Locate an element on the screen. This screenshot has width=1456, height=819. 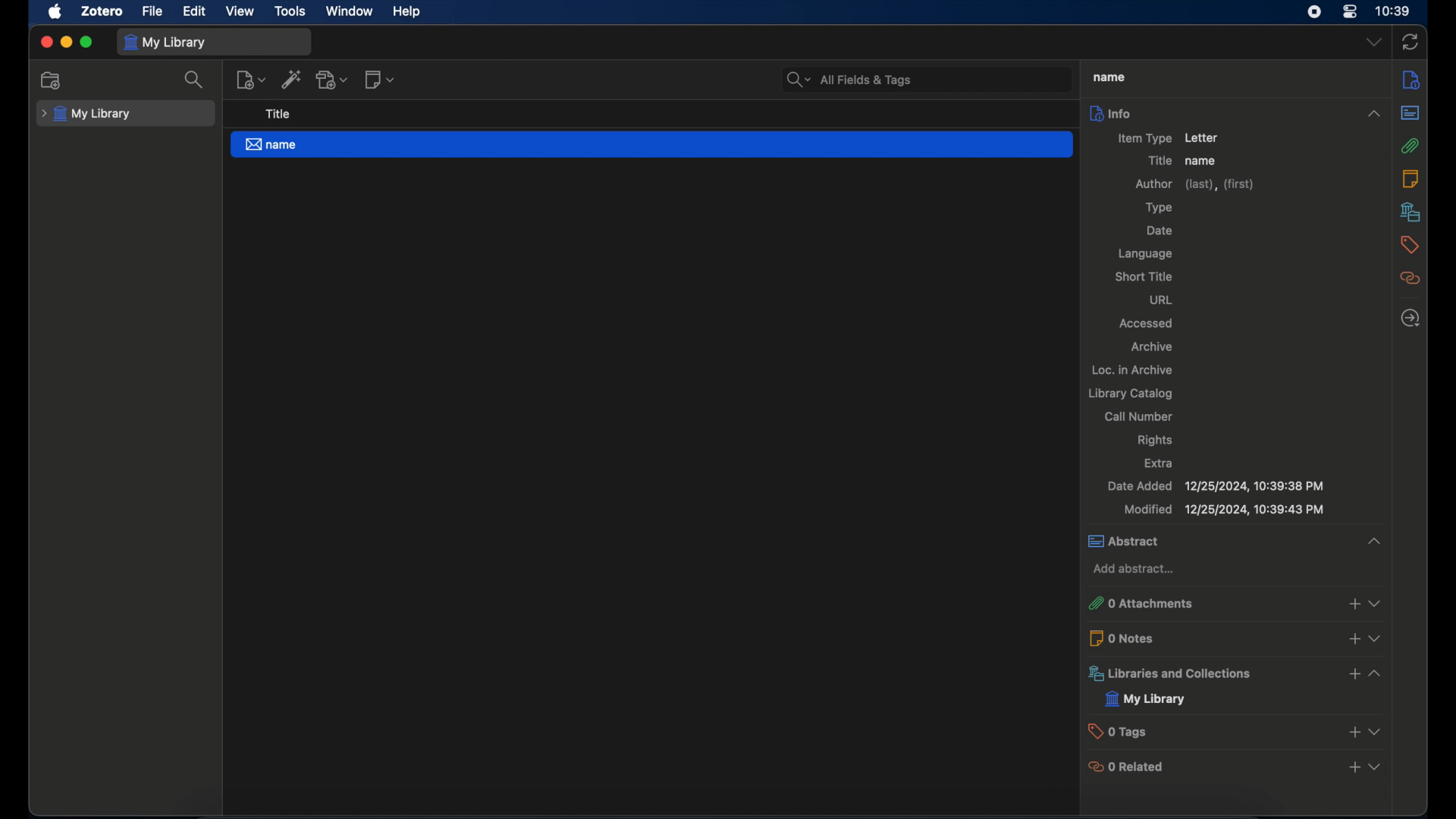
0 related is located at coordinates (1127, 768).